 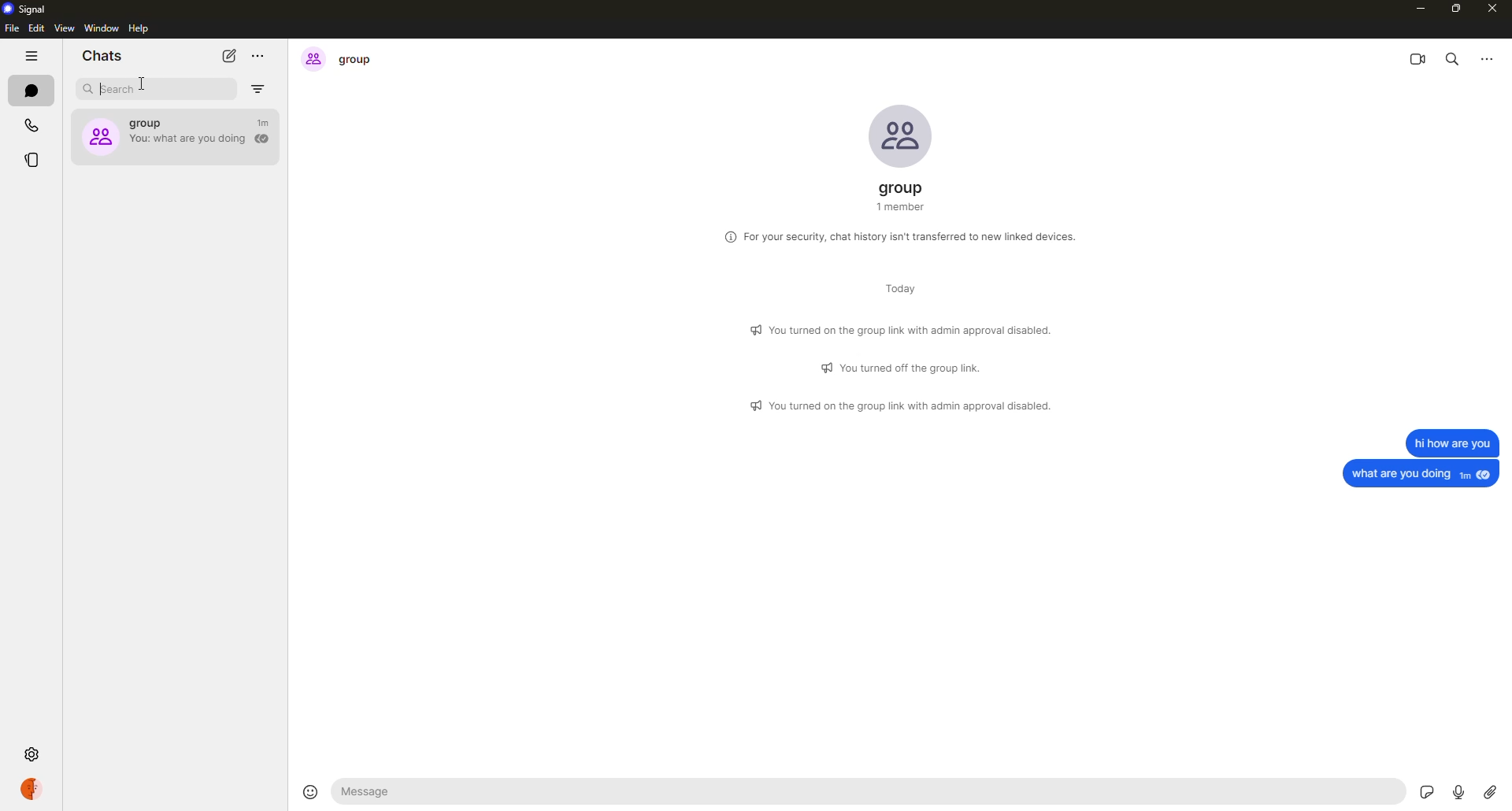 I want to click on stickers, so click(x=1427, y=788).